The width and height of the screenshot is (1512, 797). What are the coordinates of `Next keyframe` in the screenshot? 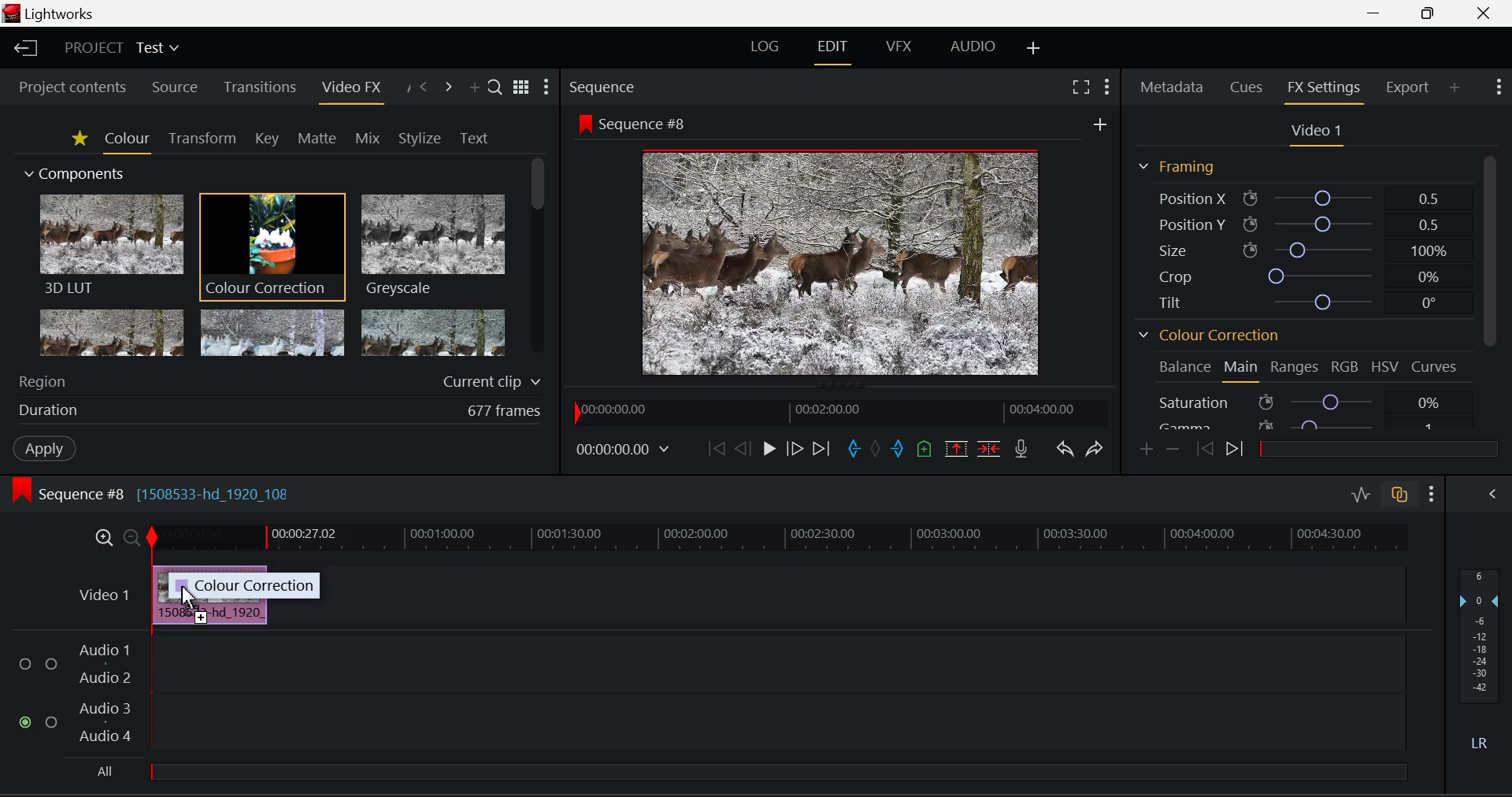 It's located at (1235, 450).